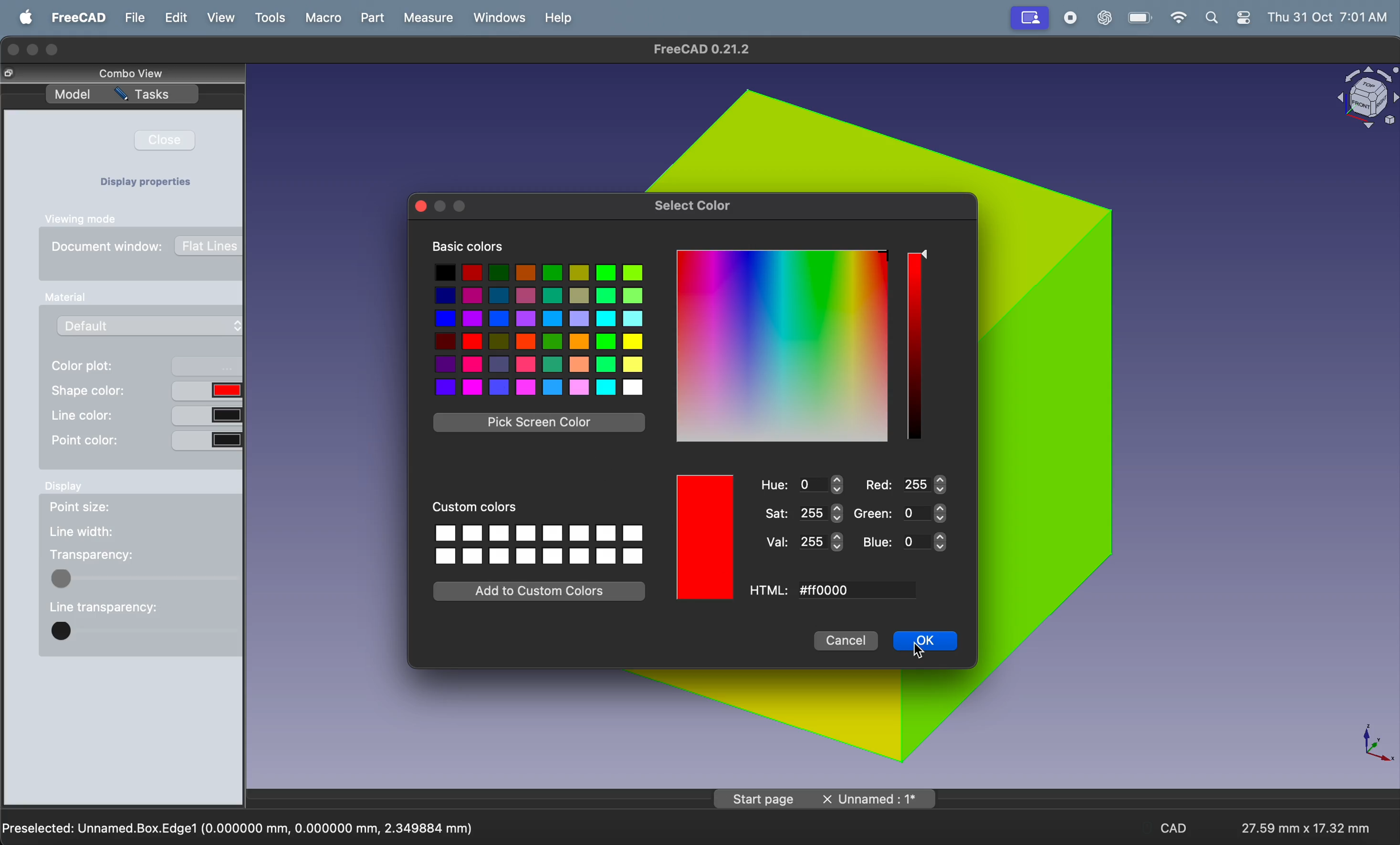 The image size is (1400, 845). What do you see at coordinates (924, 643) in the screenshot?
I see `ok` at bounding box center [924, 643].